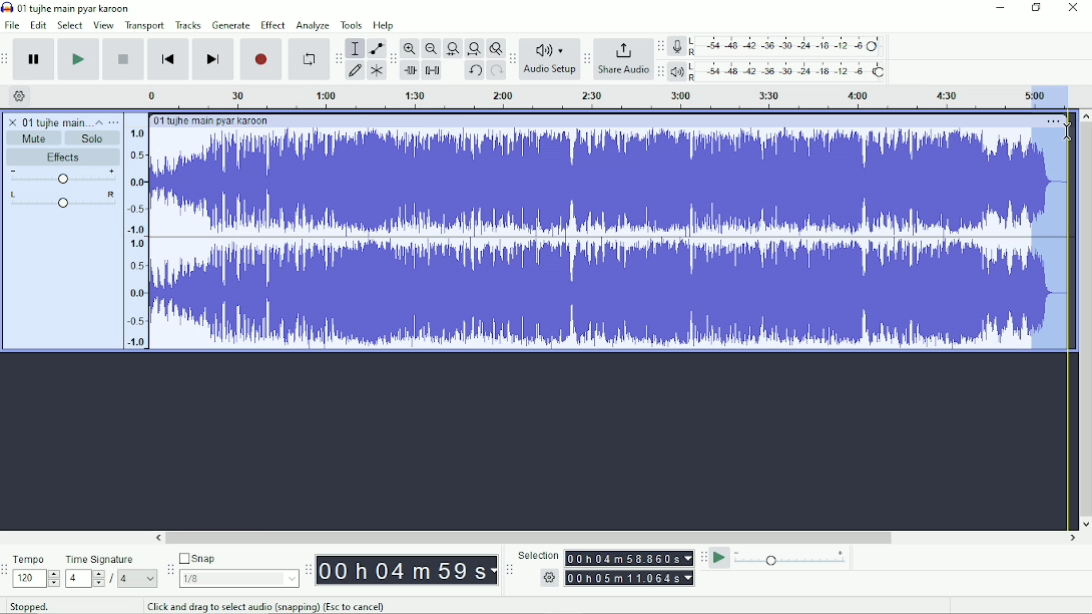 Image resolution: width=1092 pixels, height=614 pixels. What do you see at coordinates (189, 25) in the screenshot?
I see `Tracks` at bounding box center [189, 25].